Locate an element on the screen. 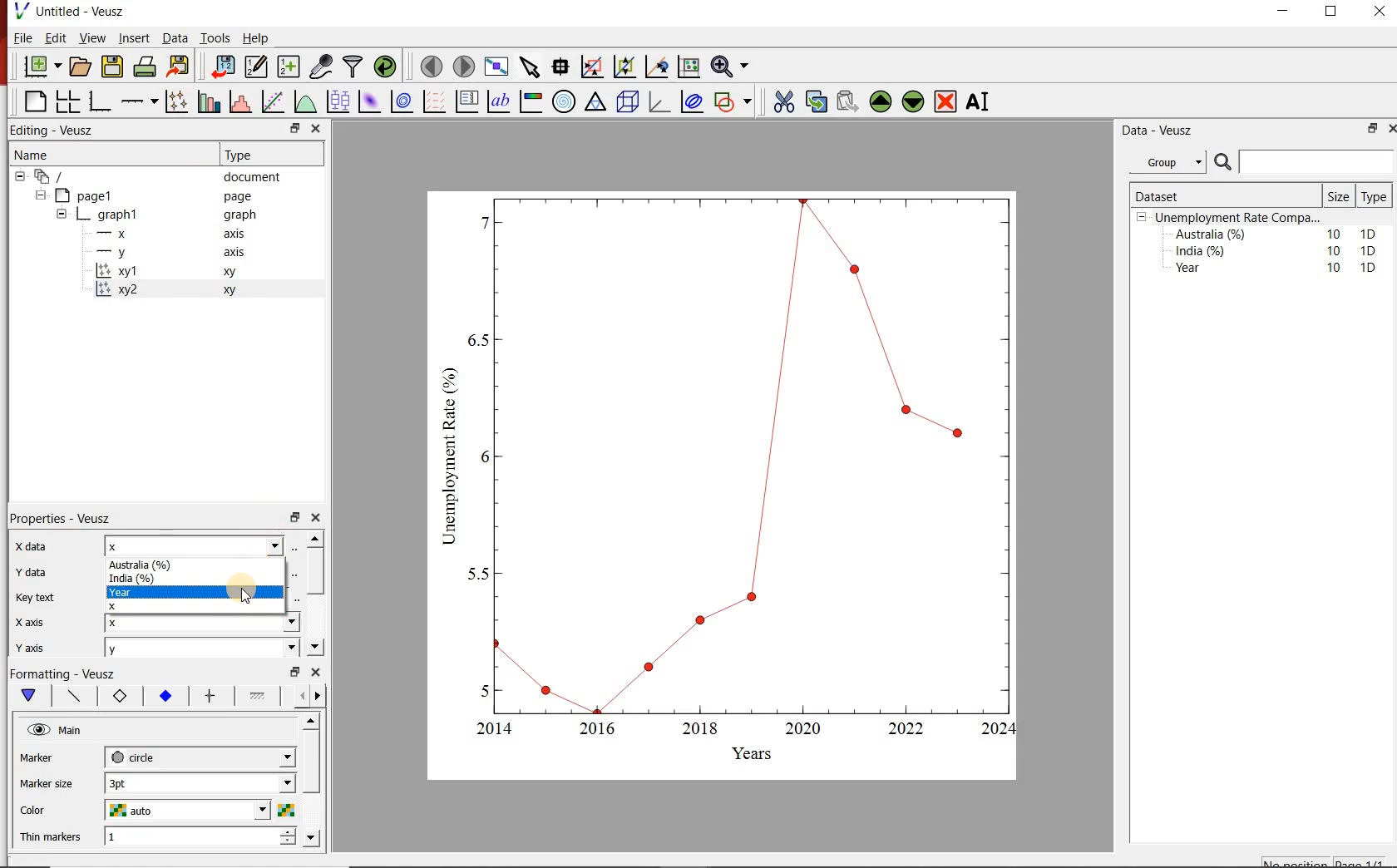 This screenshot has width=1397, height=868. move right is located at coordinates (317, 696).